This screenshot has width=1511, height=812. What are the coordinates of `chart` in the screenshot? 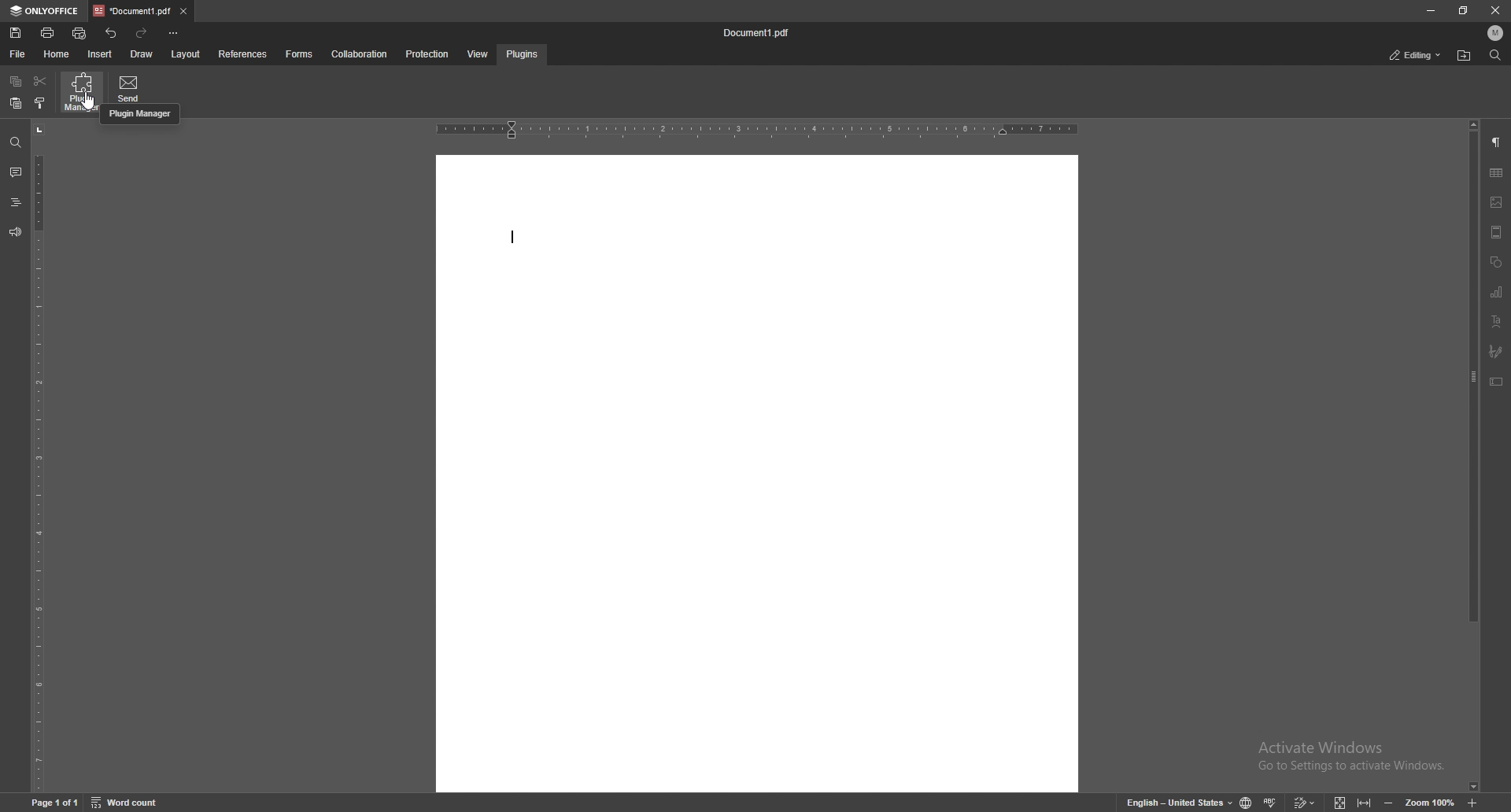 It's located at (1498, 293).